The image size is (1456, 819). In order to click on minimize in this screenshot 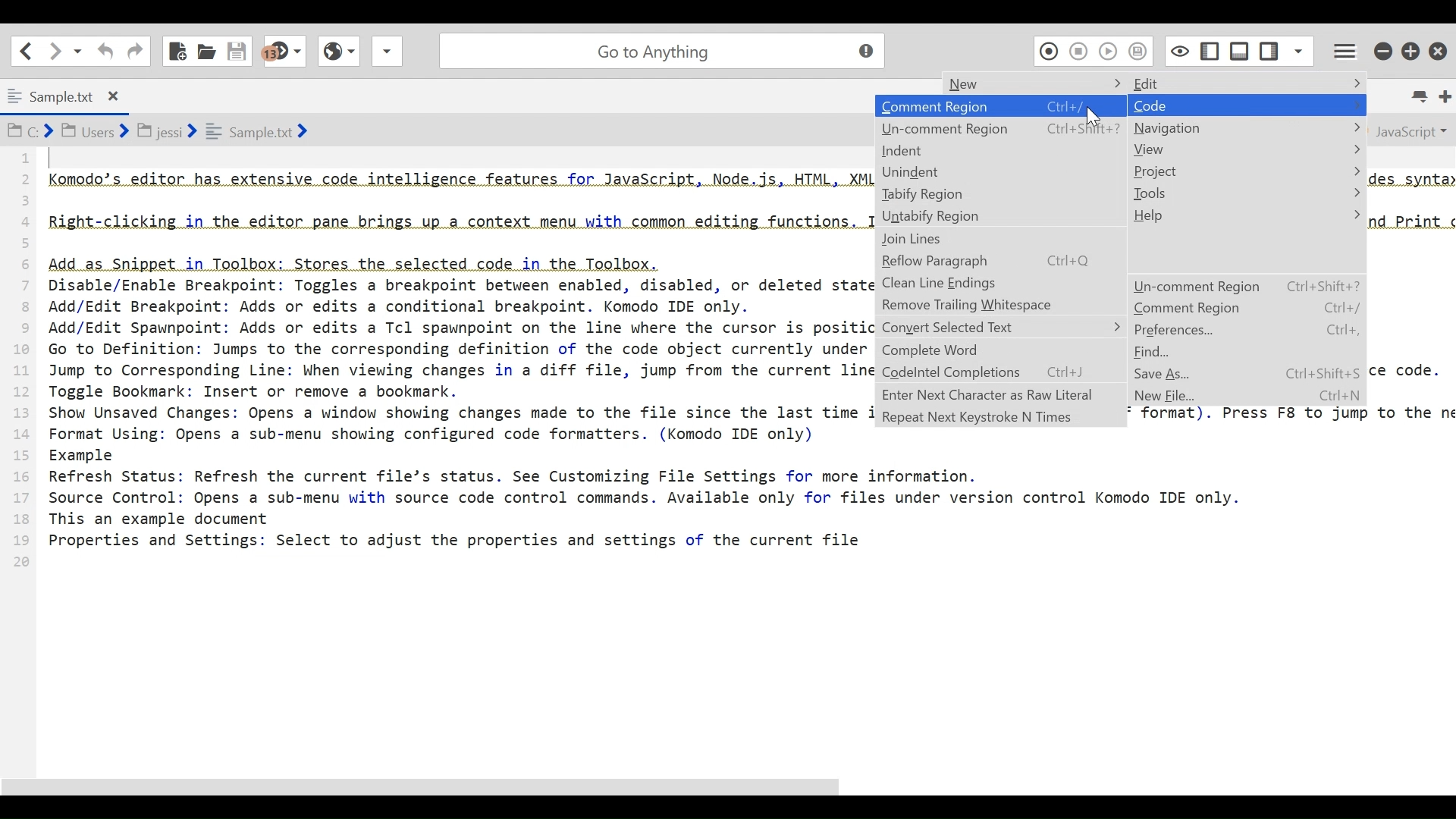, I will do `click(1382, 49)`.